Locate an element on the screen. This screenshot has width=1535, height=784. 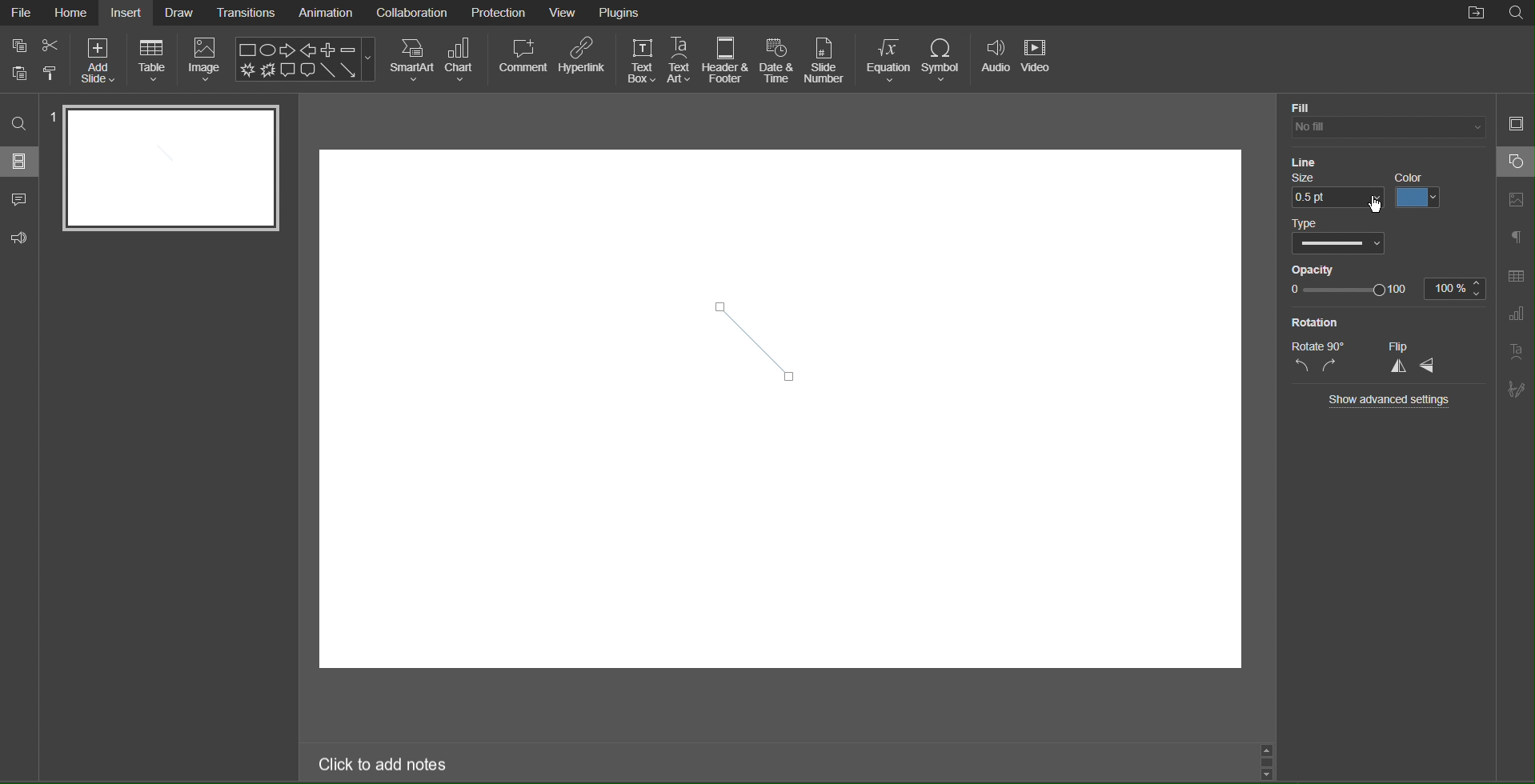
Image Settings is located at coordinates (1516, 201).